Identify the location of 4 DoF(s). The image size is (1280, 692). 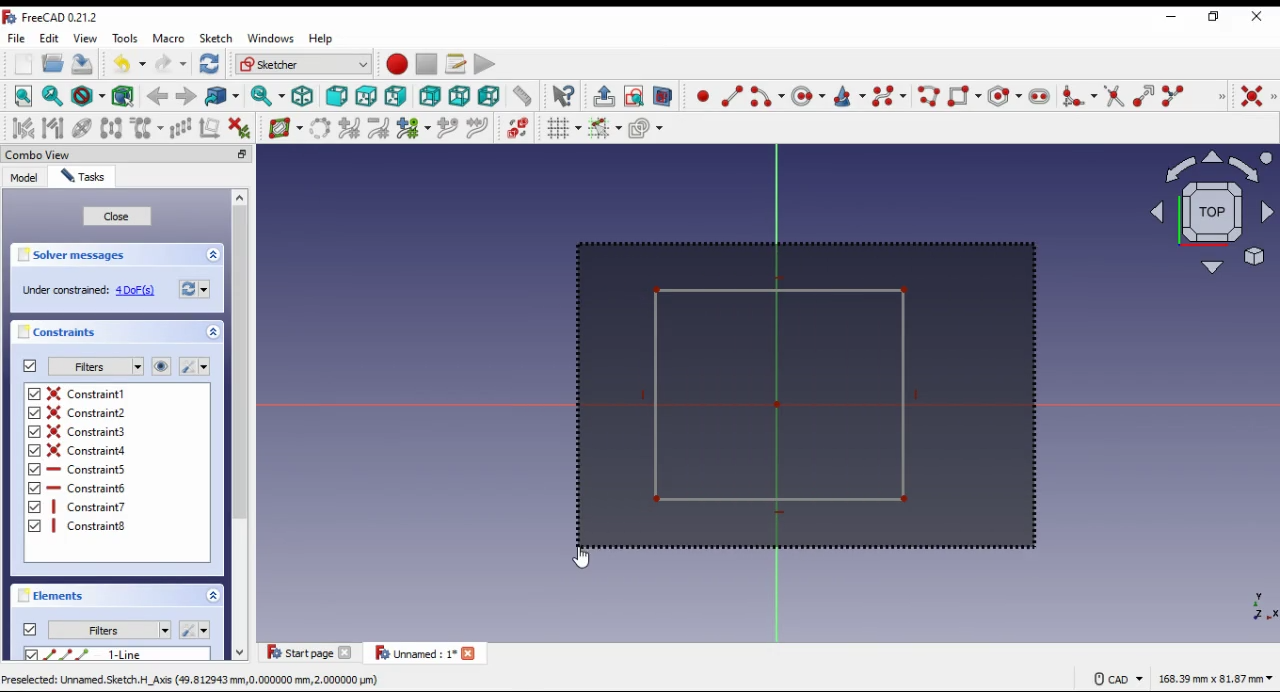
(137, 291).